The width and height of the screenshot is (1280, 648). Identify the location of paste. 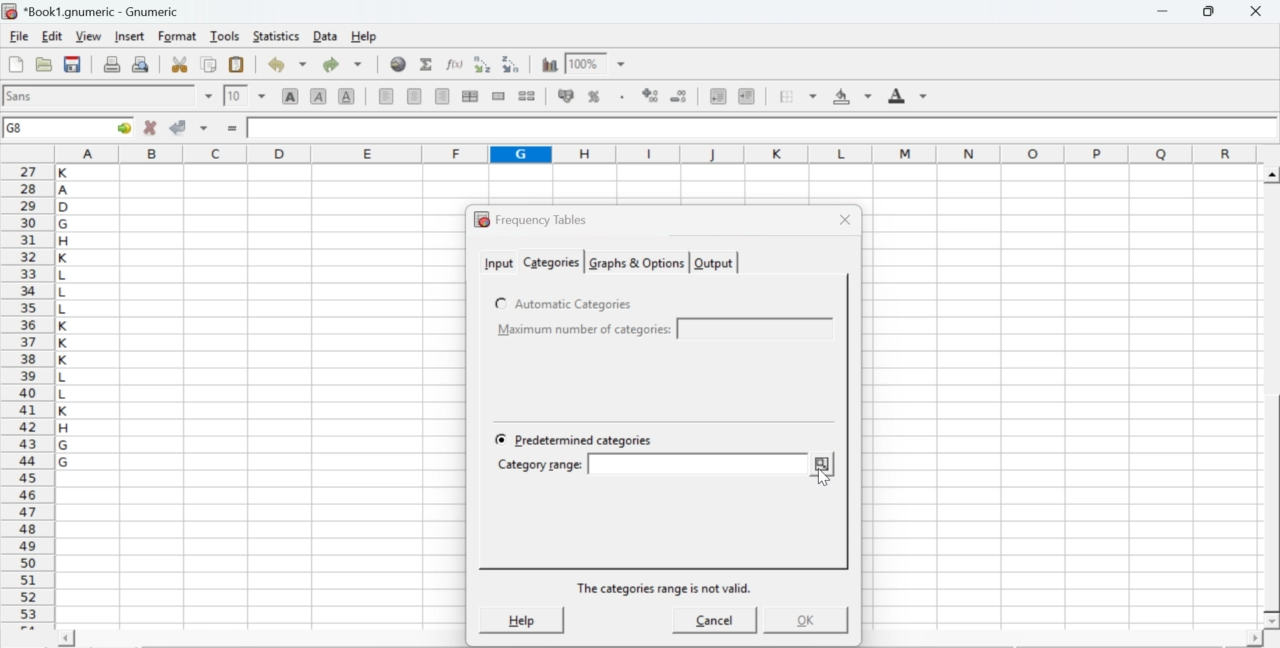
(238, 65).